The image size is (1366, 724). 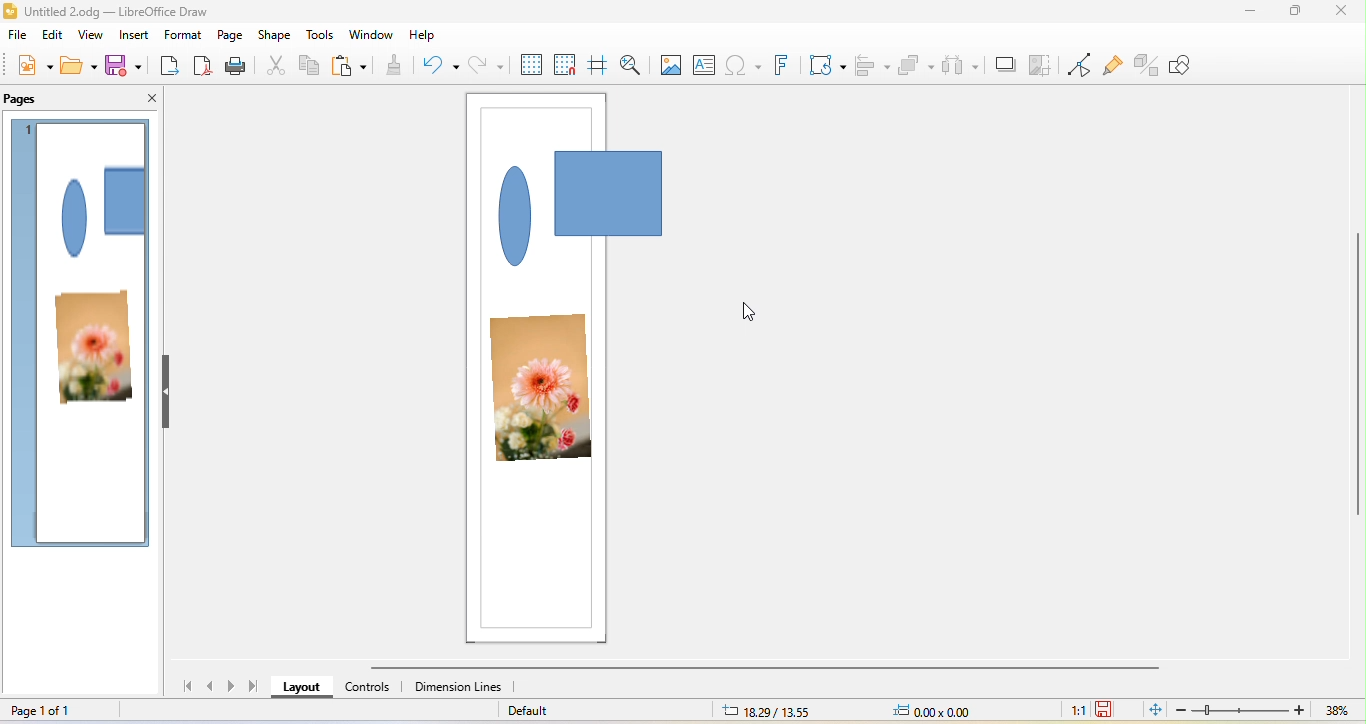 What do you see at coordinates (310, 67) in the screenshot?
I see `copy` at bounding box center [310, 67].